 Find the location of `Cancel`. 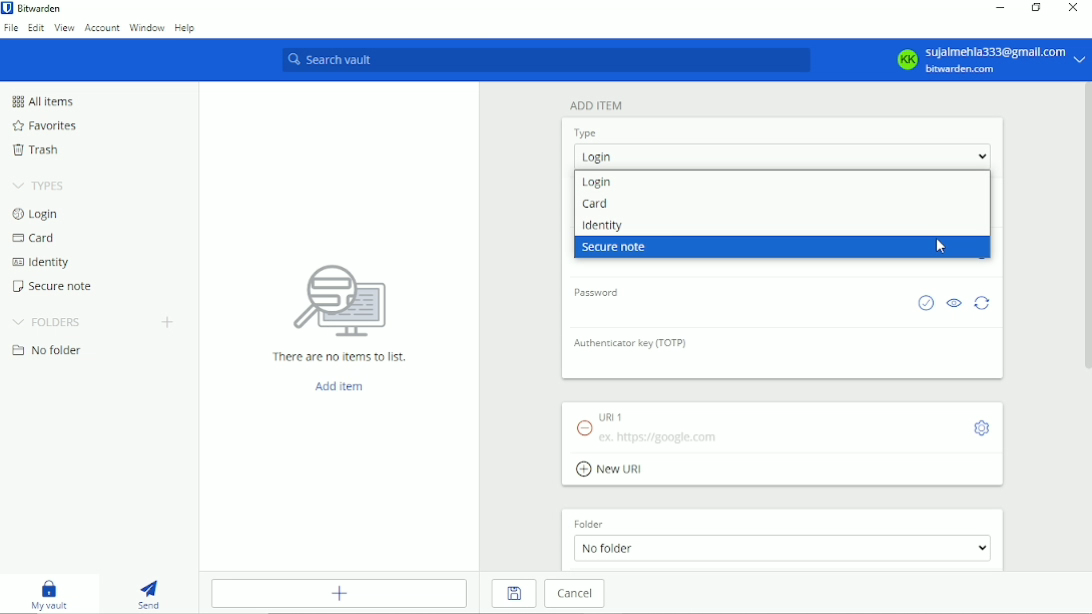

Cancel is located at coordinates (578, 594).